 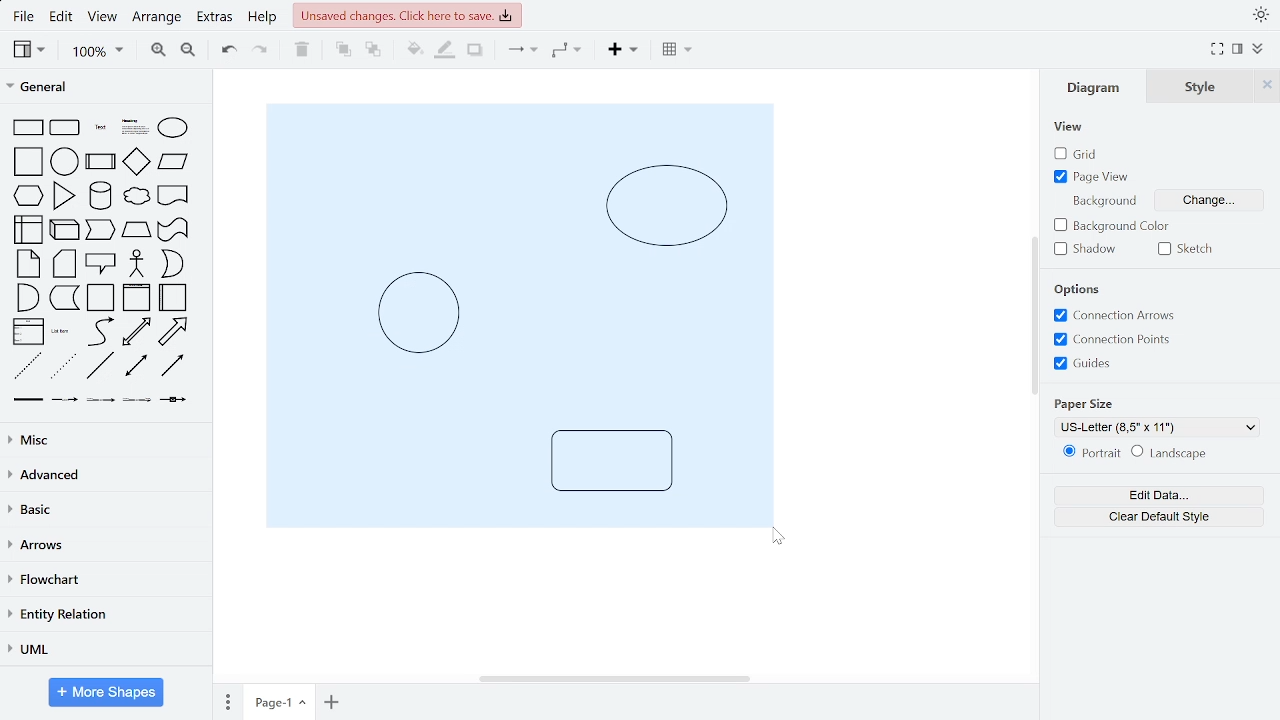 What do you see at coordinates (186, 52) in the screenshot?
I see `zoom out` at bounding box center [186, 52].